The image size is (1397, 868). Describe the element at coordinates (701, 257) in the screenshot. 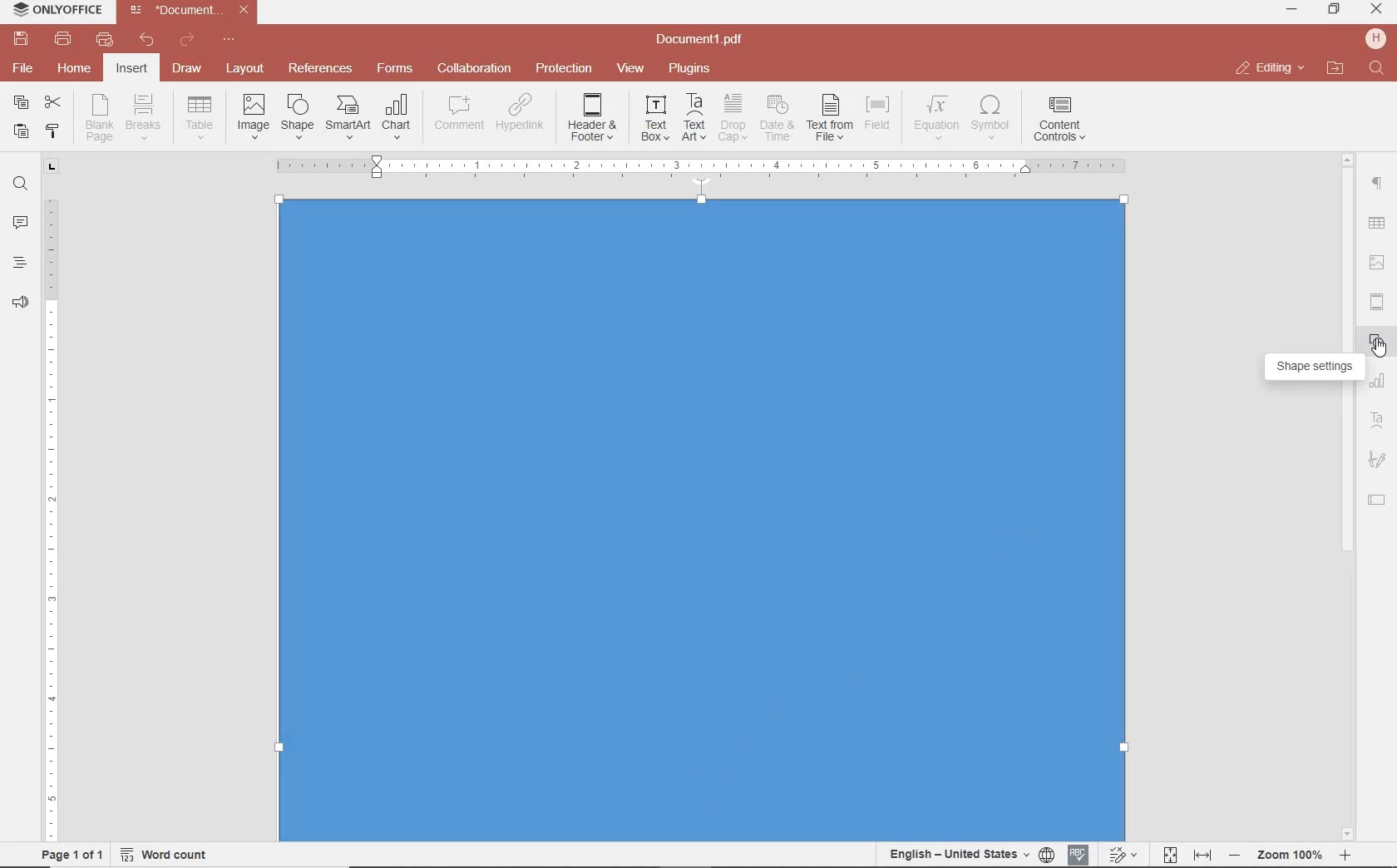

I see `` at that location.